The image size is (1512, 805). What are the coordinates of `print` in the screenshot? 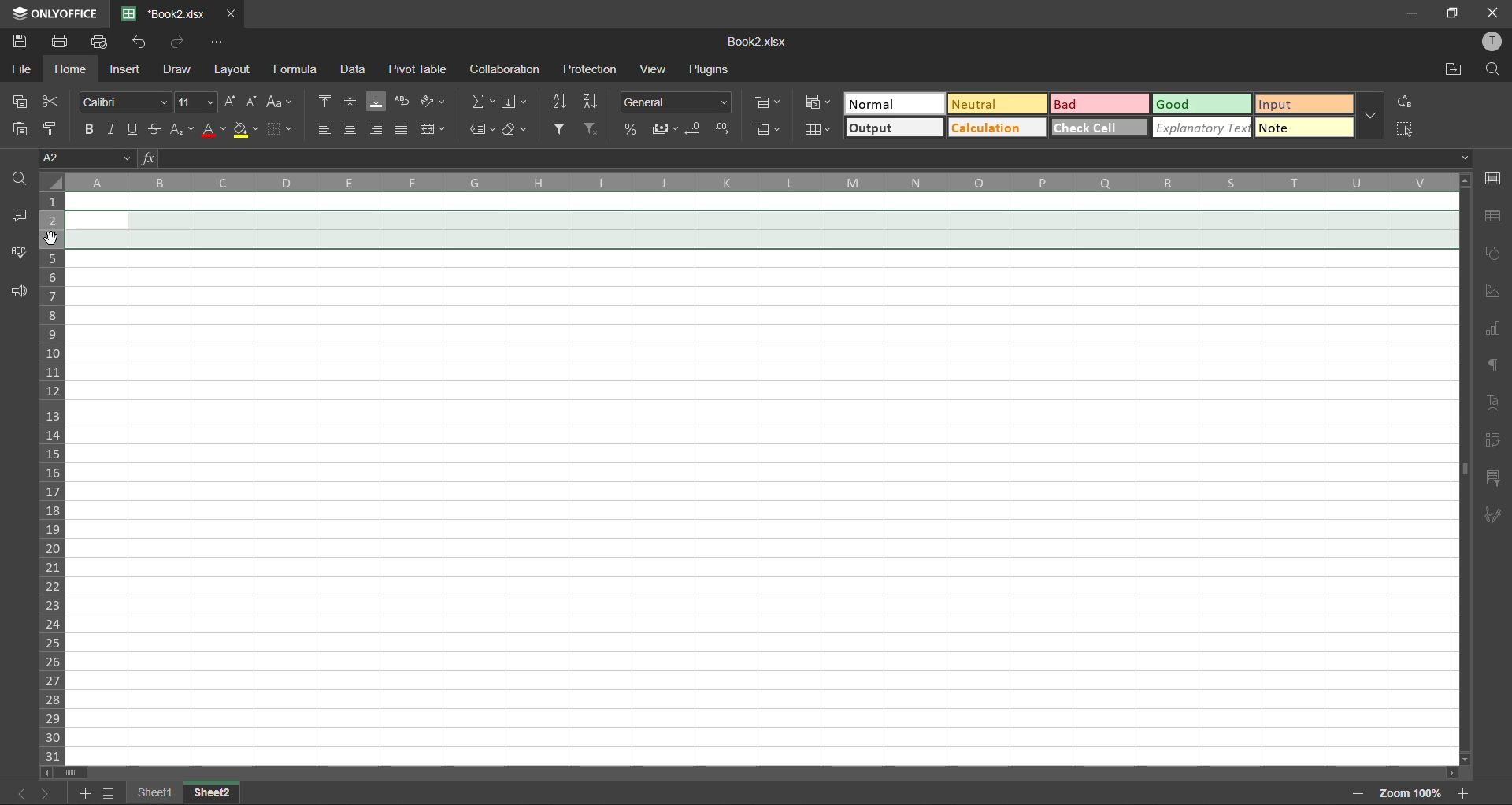 It's located at (65, 42).